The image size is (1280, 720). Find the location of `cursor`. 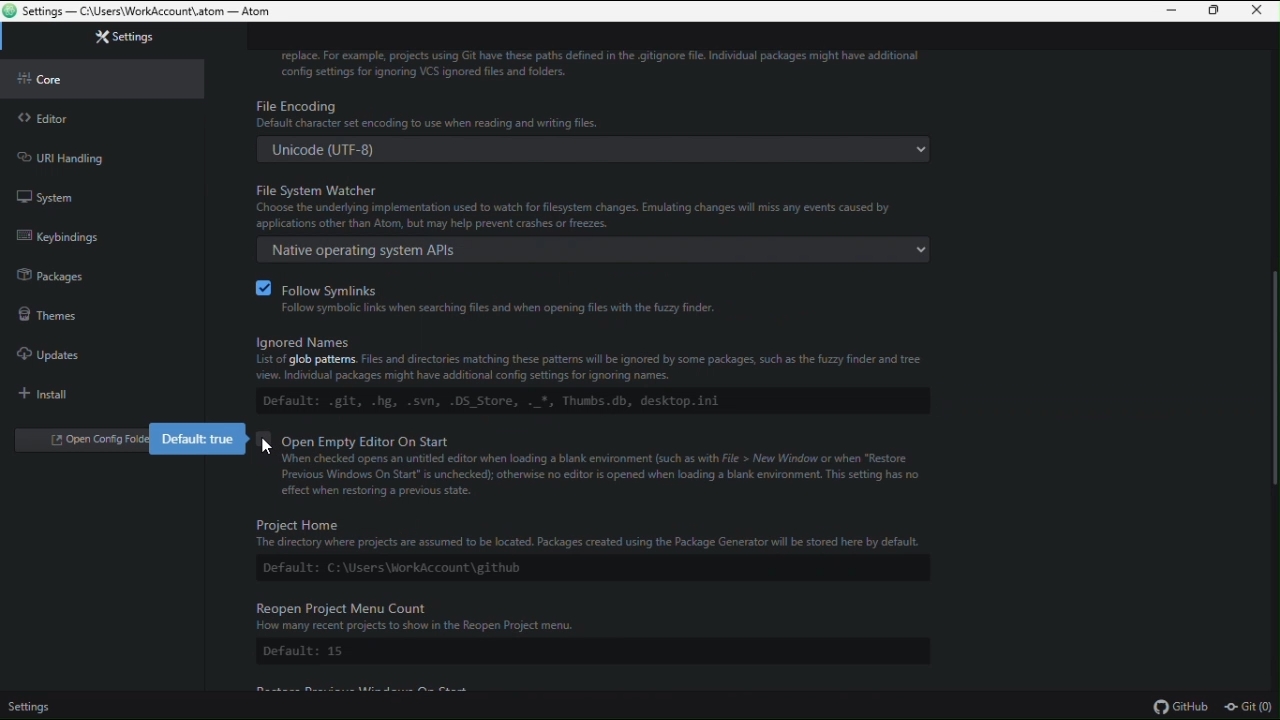

cursor is located at coordinates (266, 447).